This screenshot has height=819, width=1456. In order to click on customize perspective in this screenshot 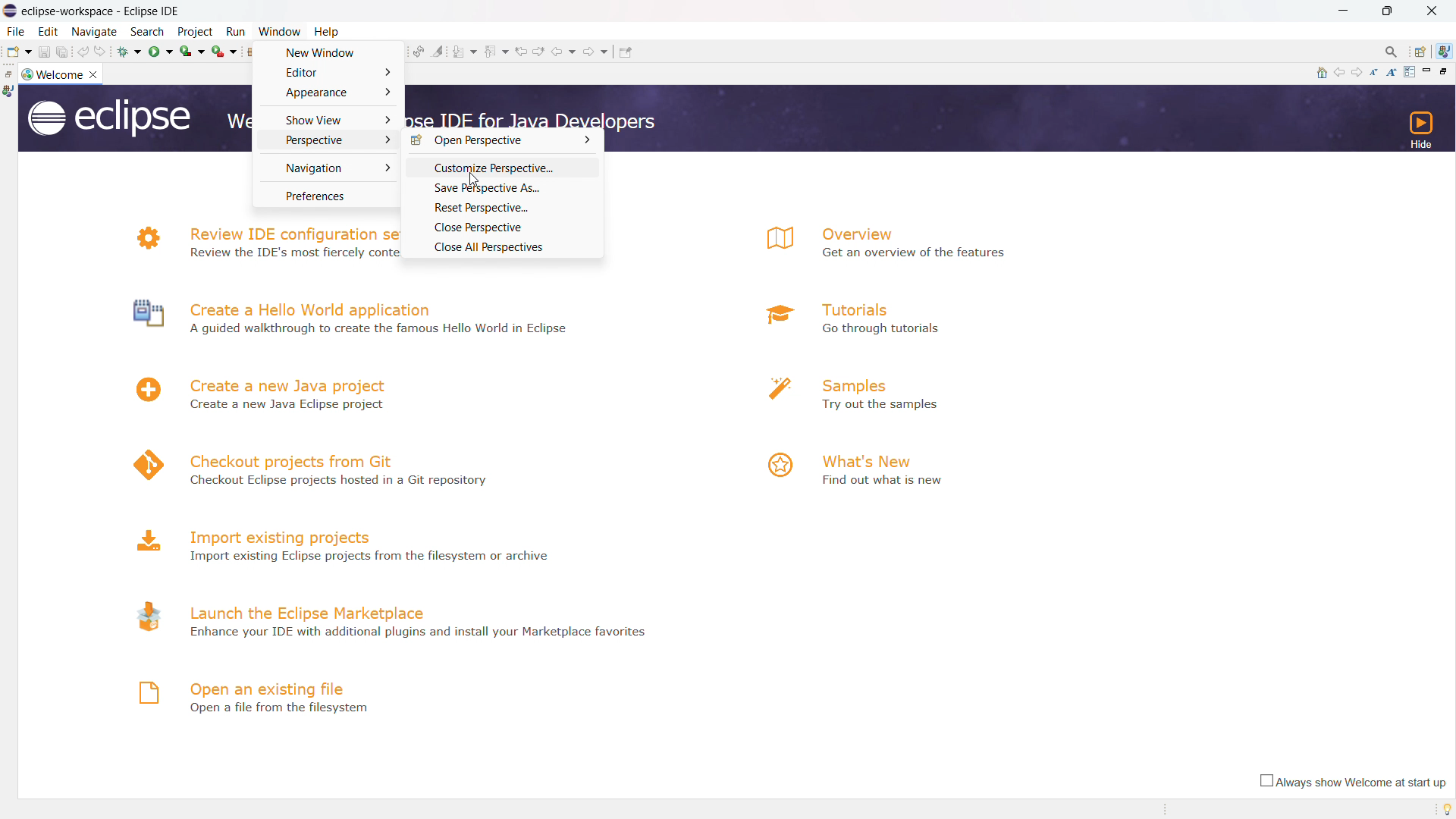, I will do `click(500, 168)`.